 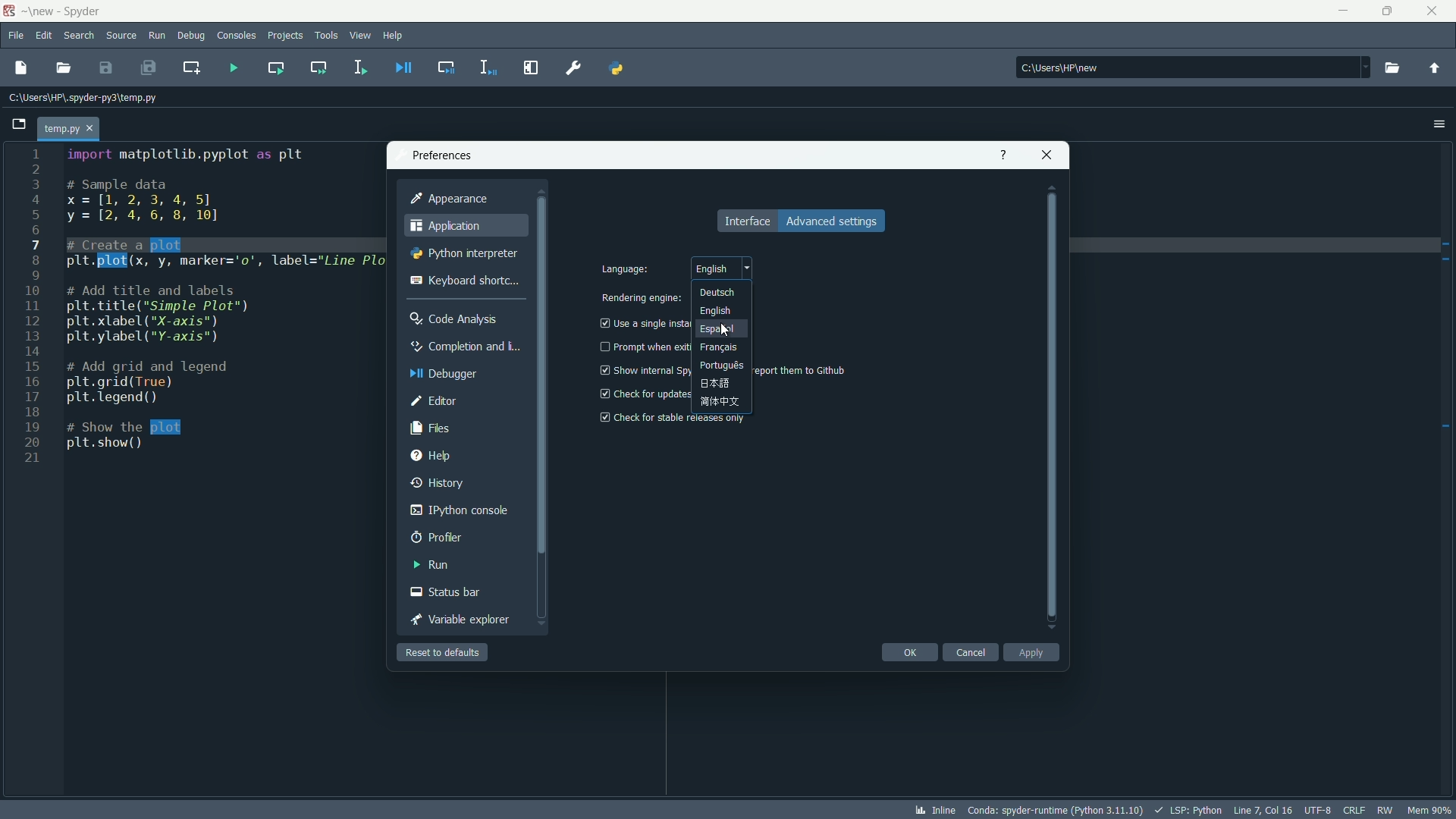 I want to click on file eol status, so click(x=1354, y=811).